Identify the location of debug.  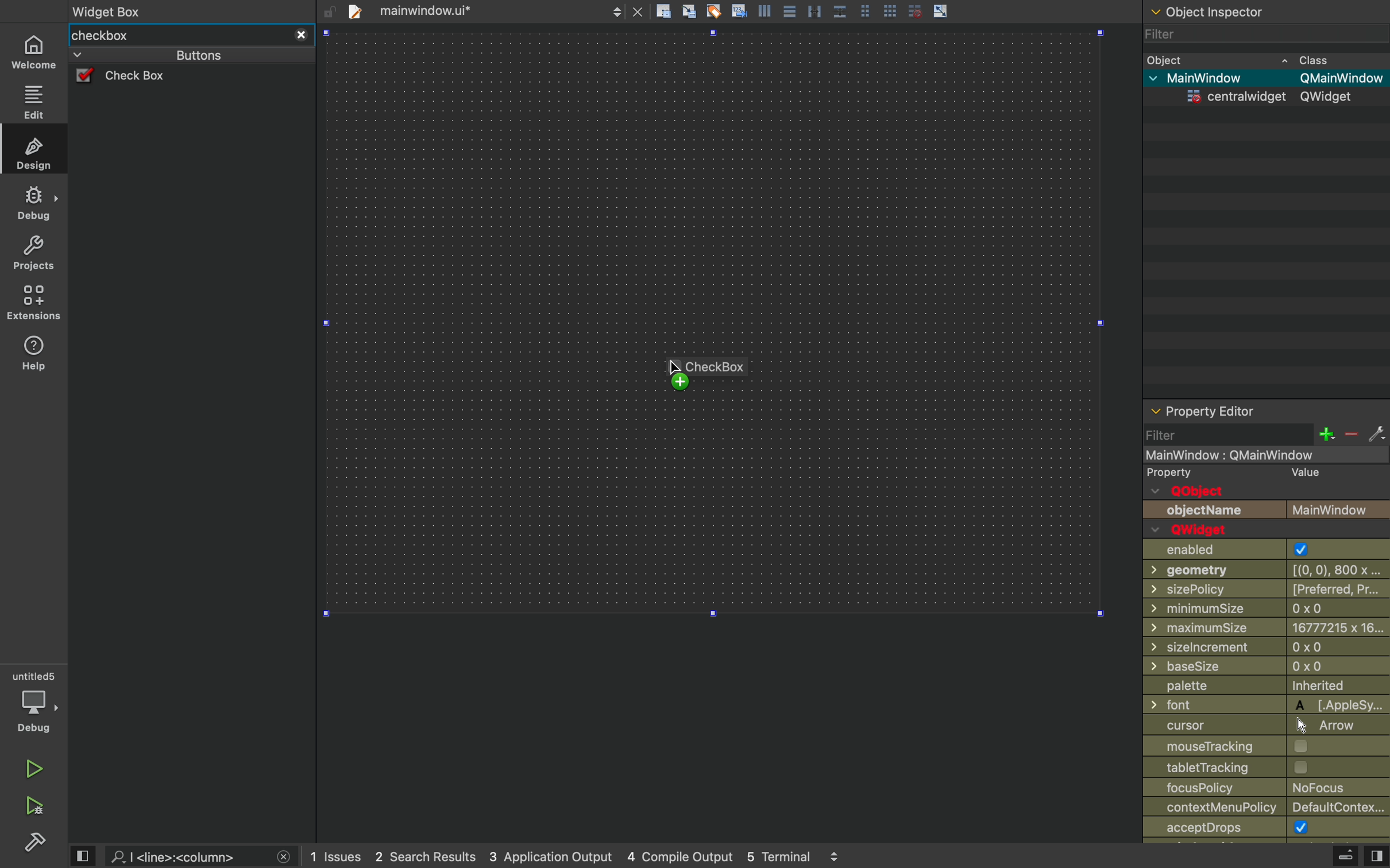
(34, 702).